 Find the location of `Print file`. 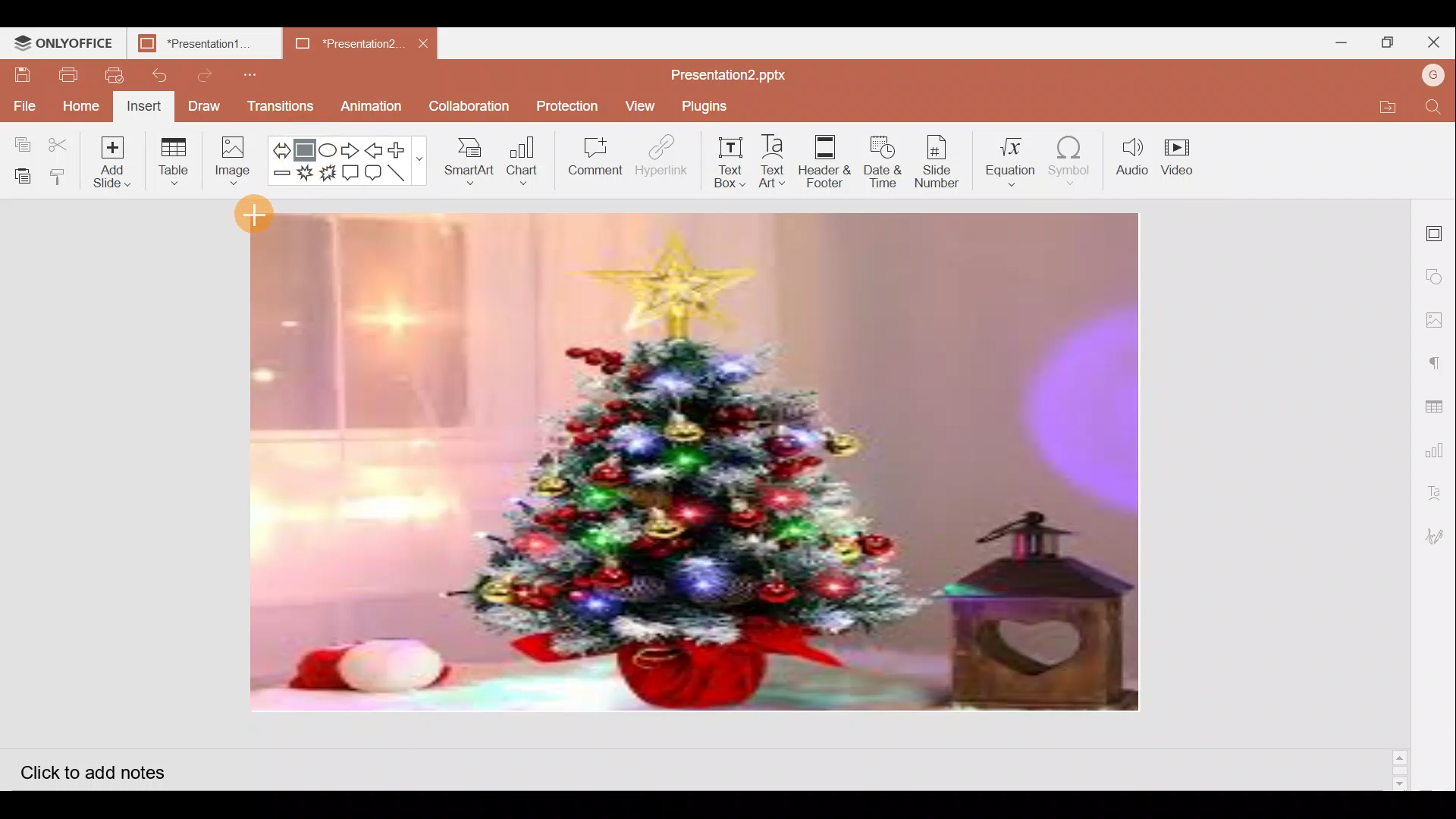

Print file is located at coordinates (67, 74).